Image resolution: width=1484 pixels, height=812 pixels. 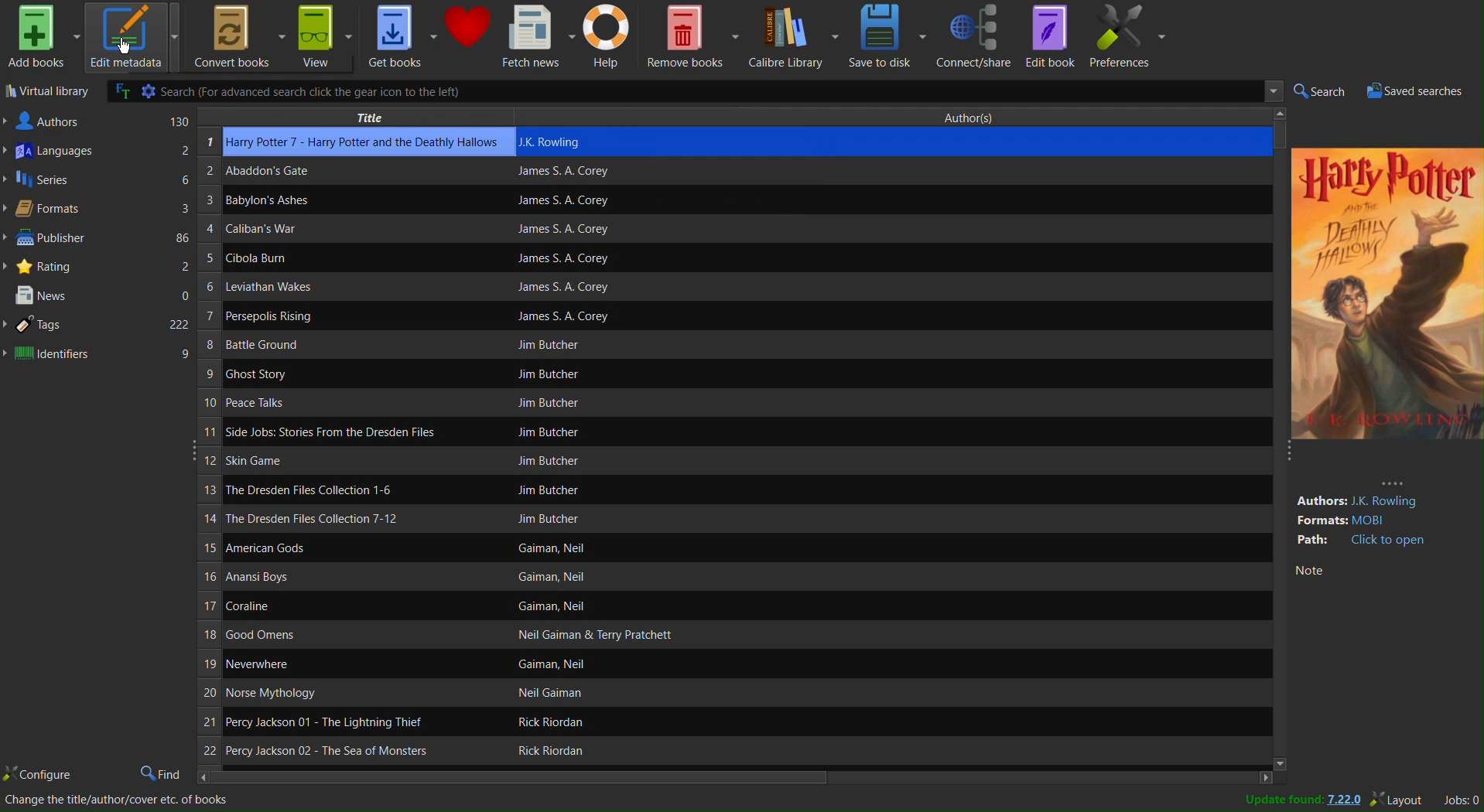 What do you see at coordinates (287, 257) in the screenshot?
I see `Book name` at bounding box center [287, 257].